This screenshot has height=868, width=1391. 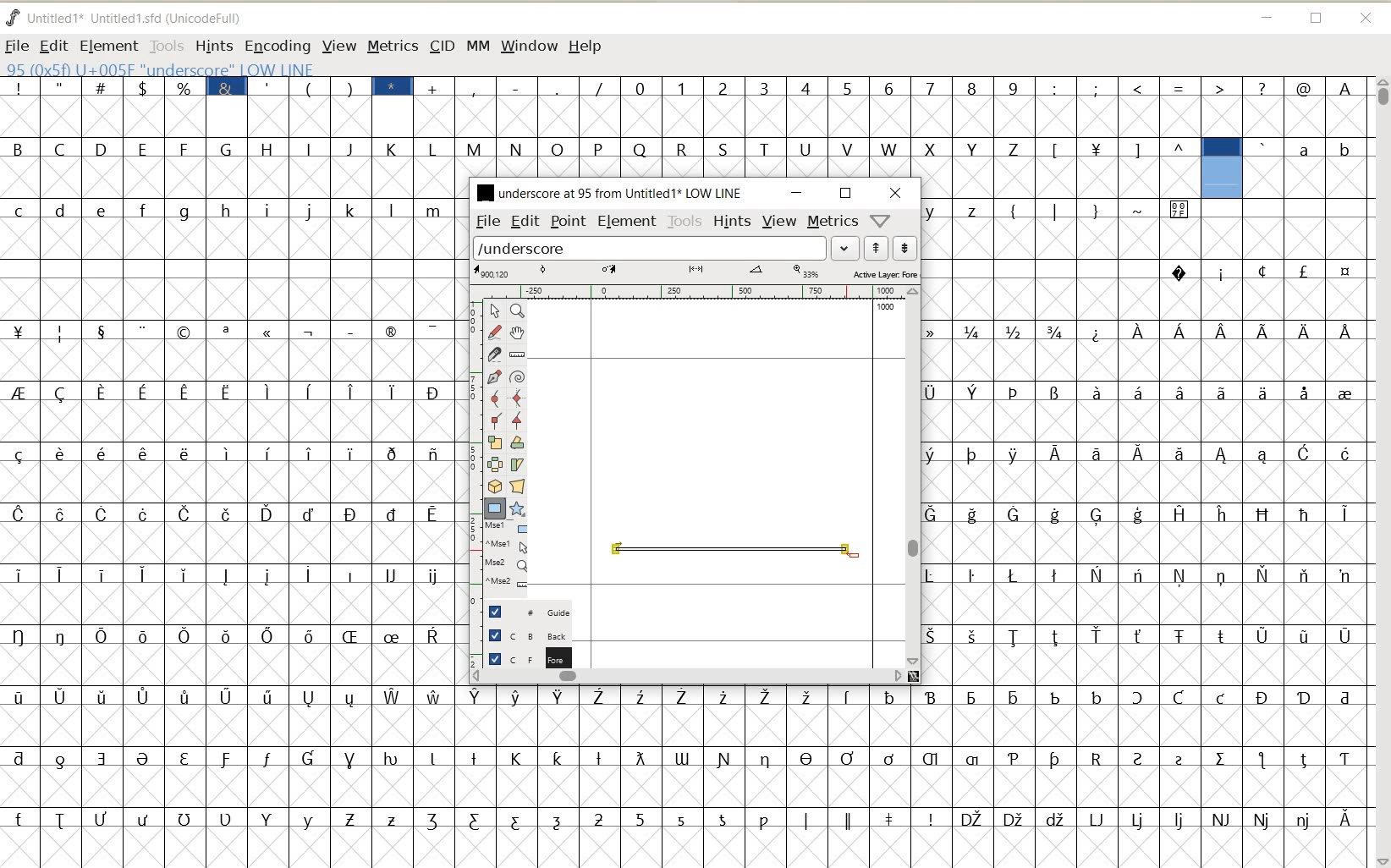 I want to click on FILE, so click(x=17, y=46).